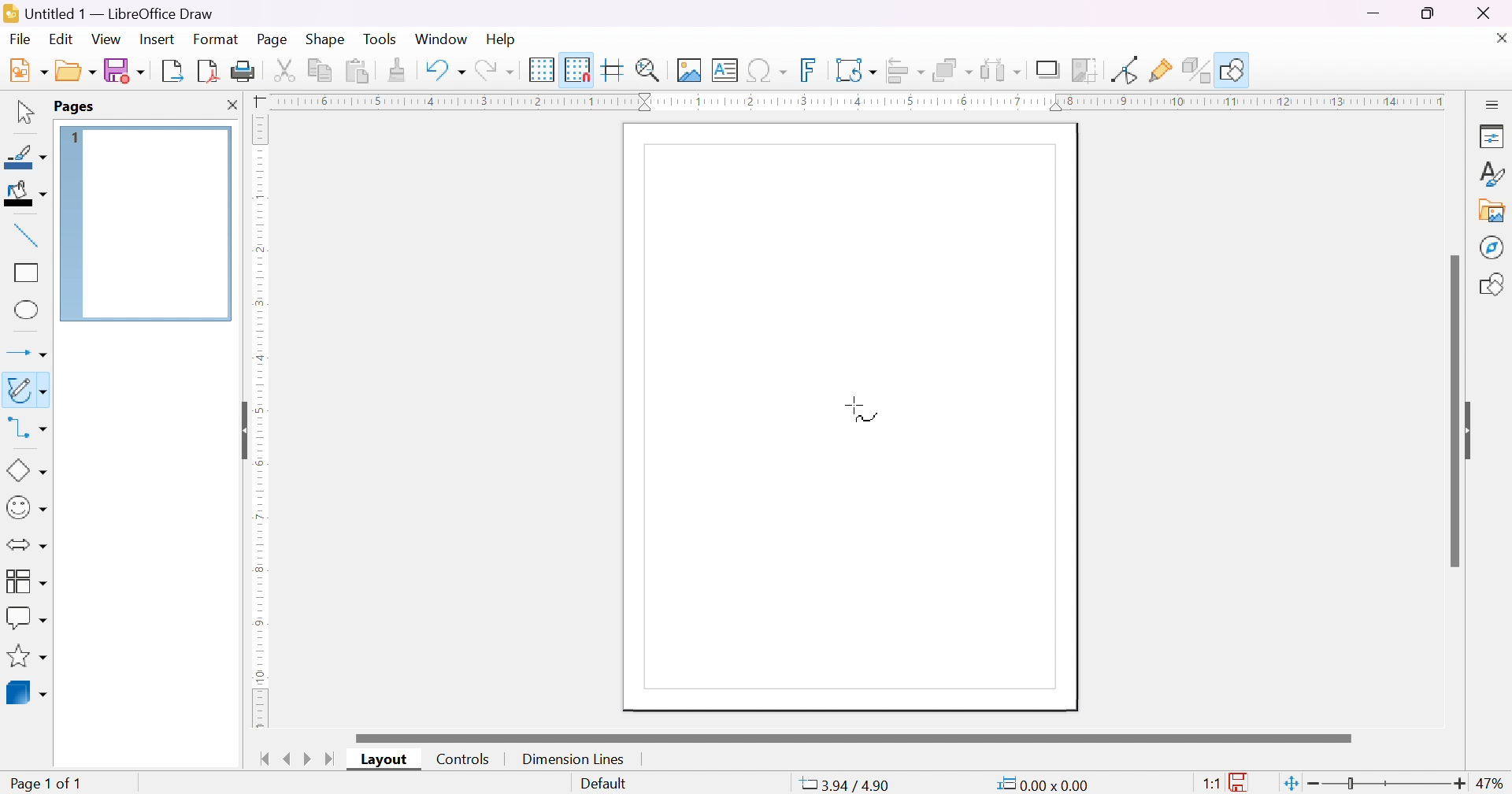  I want to click on application name, so click(112, 13).